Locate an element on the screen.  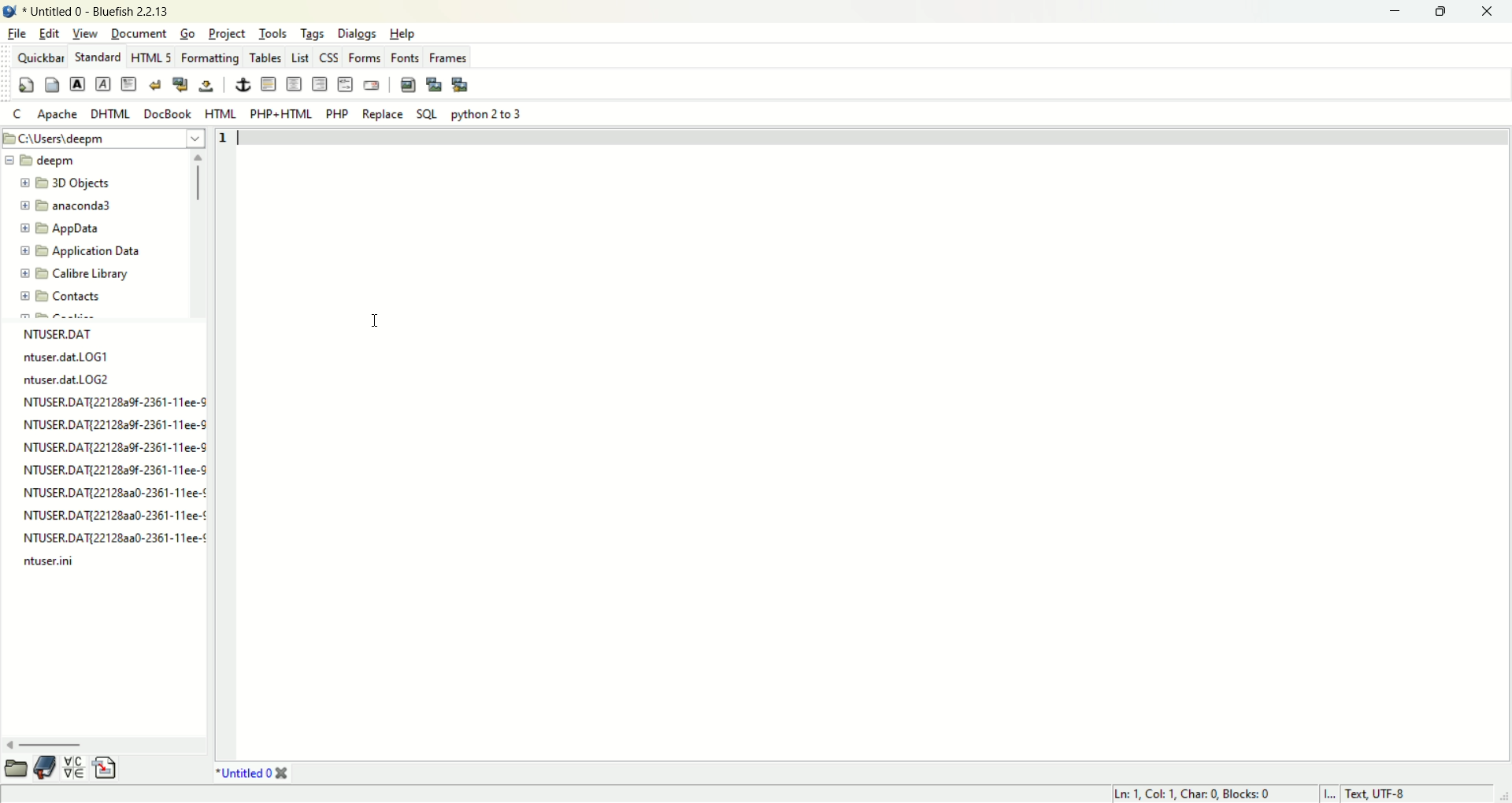
CSS is located at coordinates (329, 58).